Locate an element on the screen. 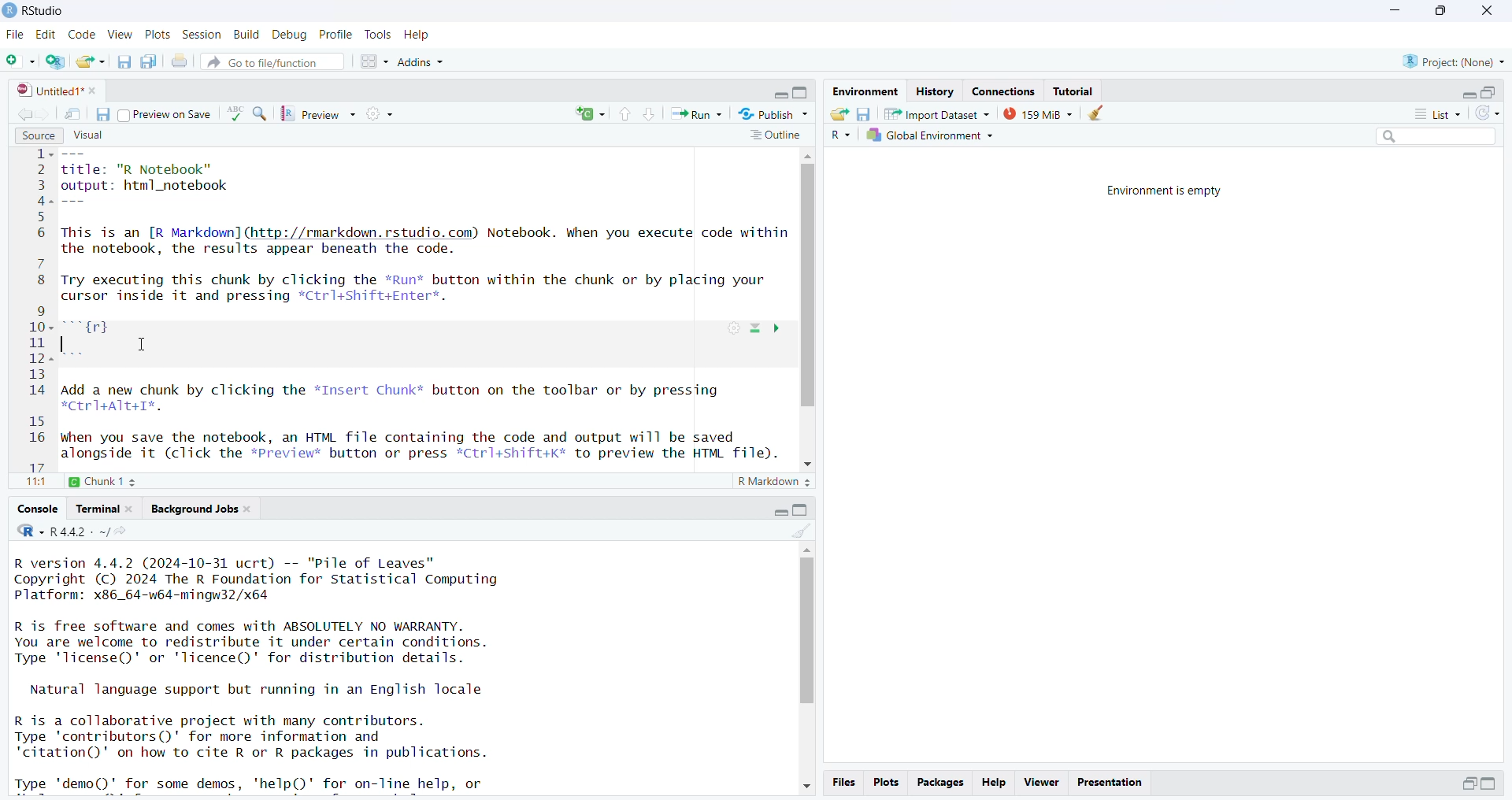 Image resolution: width=1512 pixels, height=800 pixels. tools is located at coordinates (379, 35).